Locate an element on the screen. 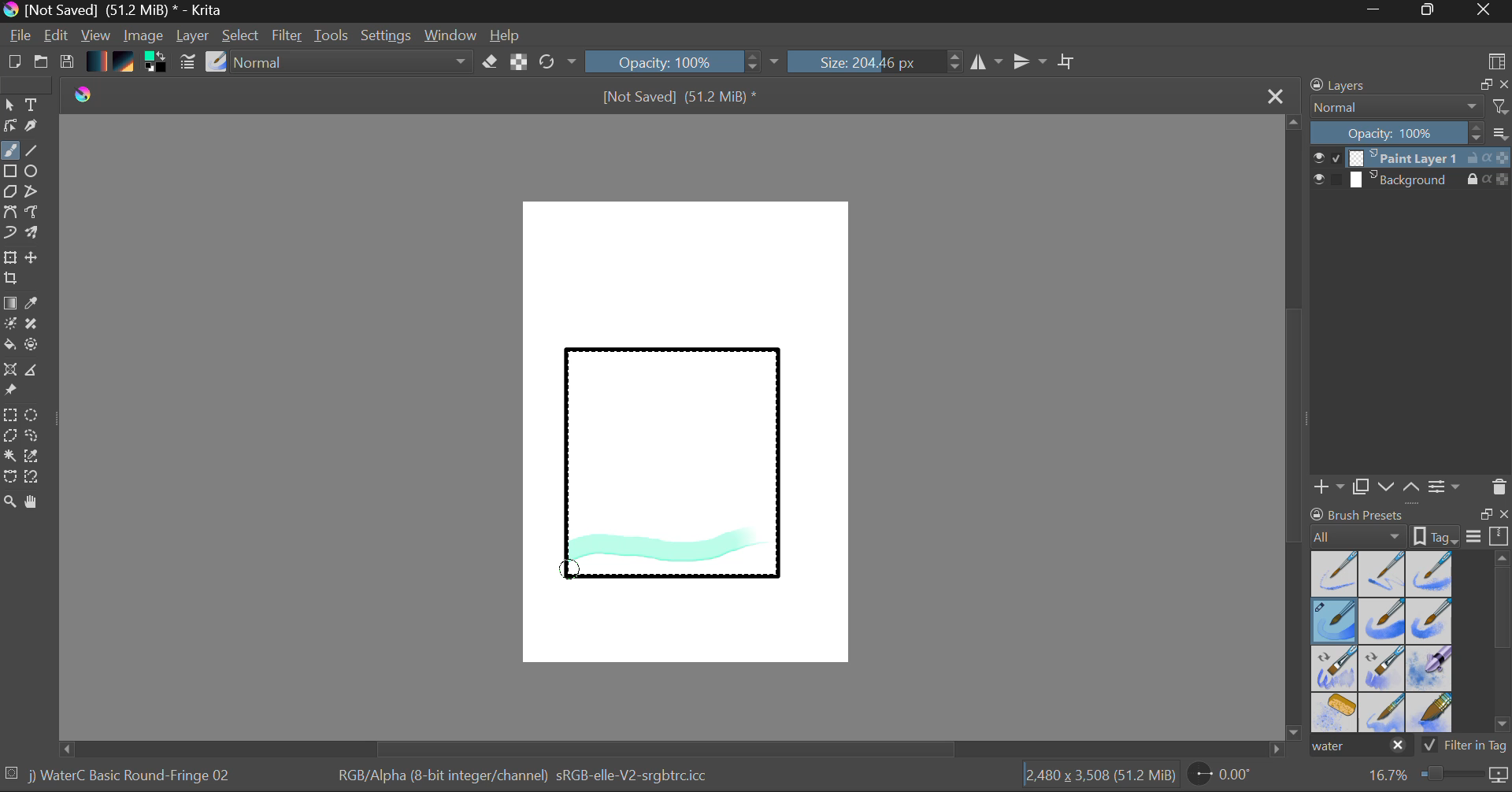 The image size is (1512, 792). Window Title is located at coordinates (115, 11).